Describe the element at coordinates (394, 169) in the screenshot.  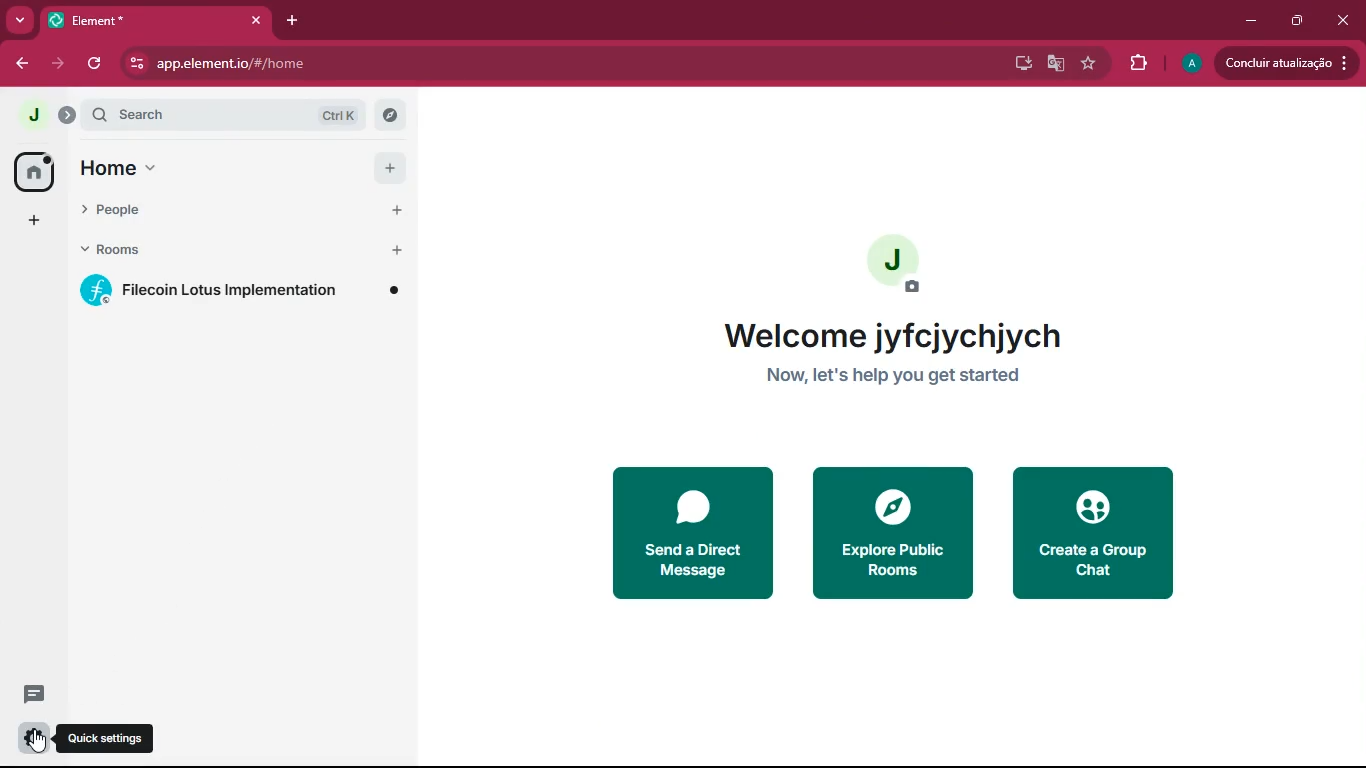
I see `Add` at that location.